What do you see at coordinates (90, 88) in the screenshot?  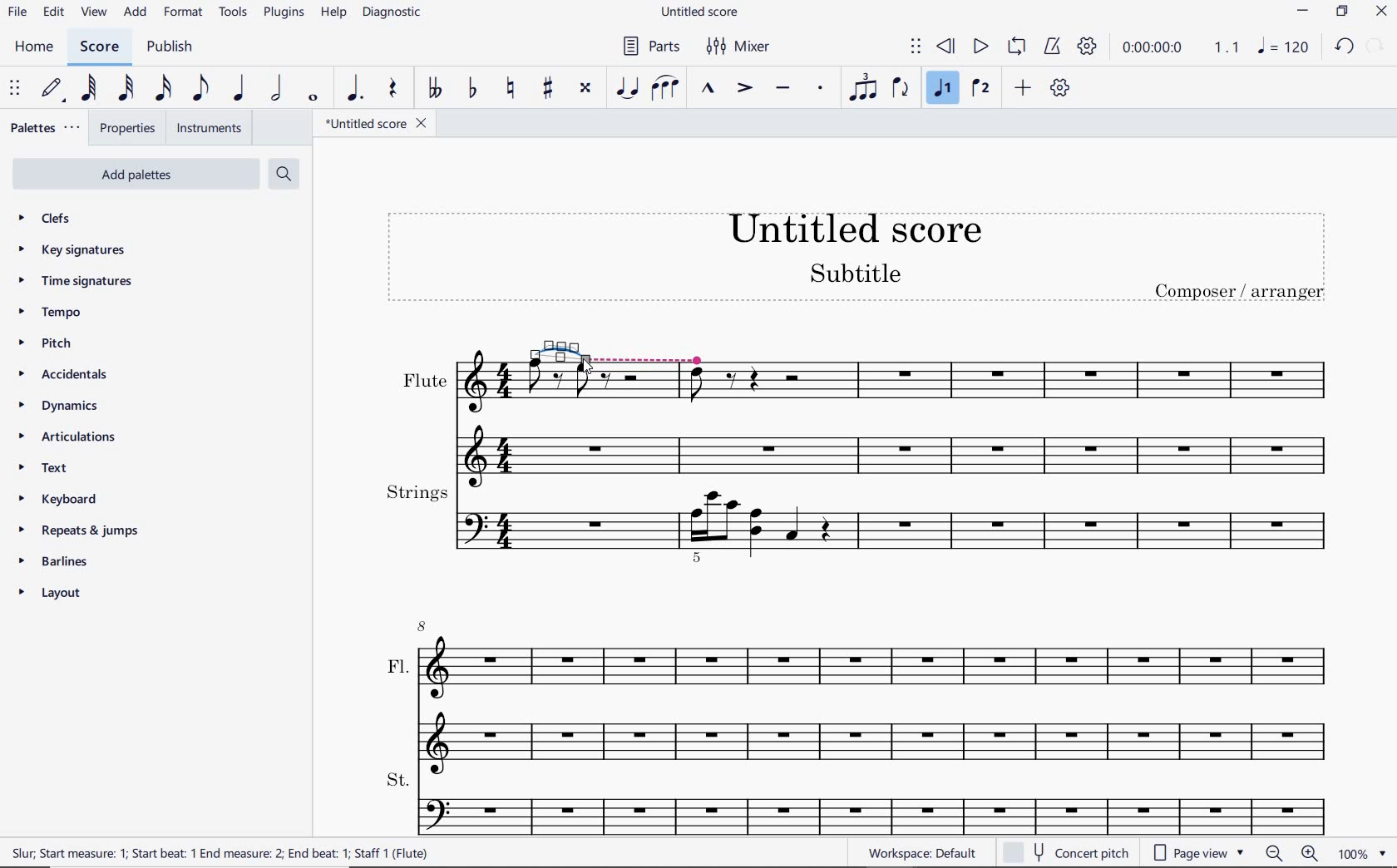 I see `64TH NOTE` at bounding box center [90, 88].